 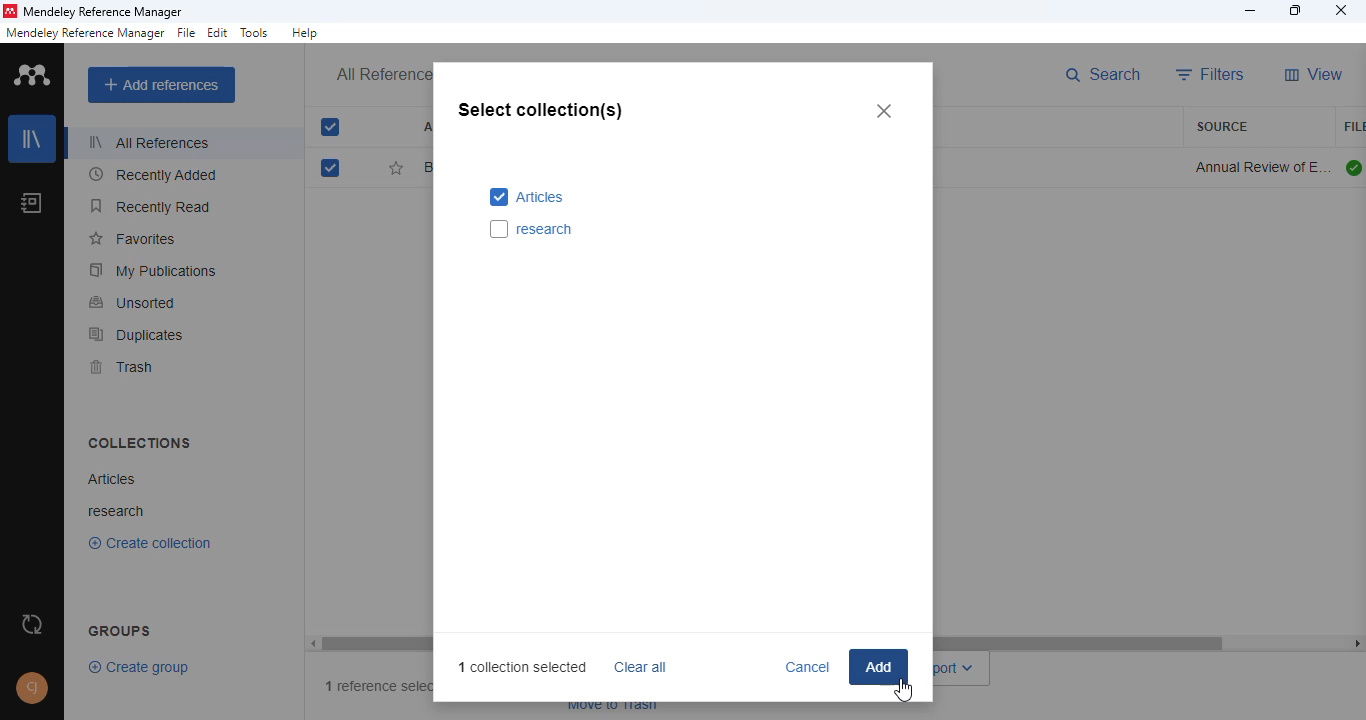 What do you see at coordinates (498, 196) in the screenshot?
I see `select` at bounding box center [498, 196].